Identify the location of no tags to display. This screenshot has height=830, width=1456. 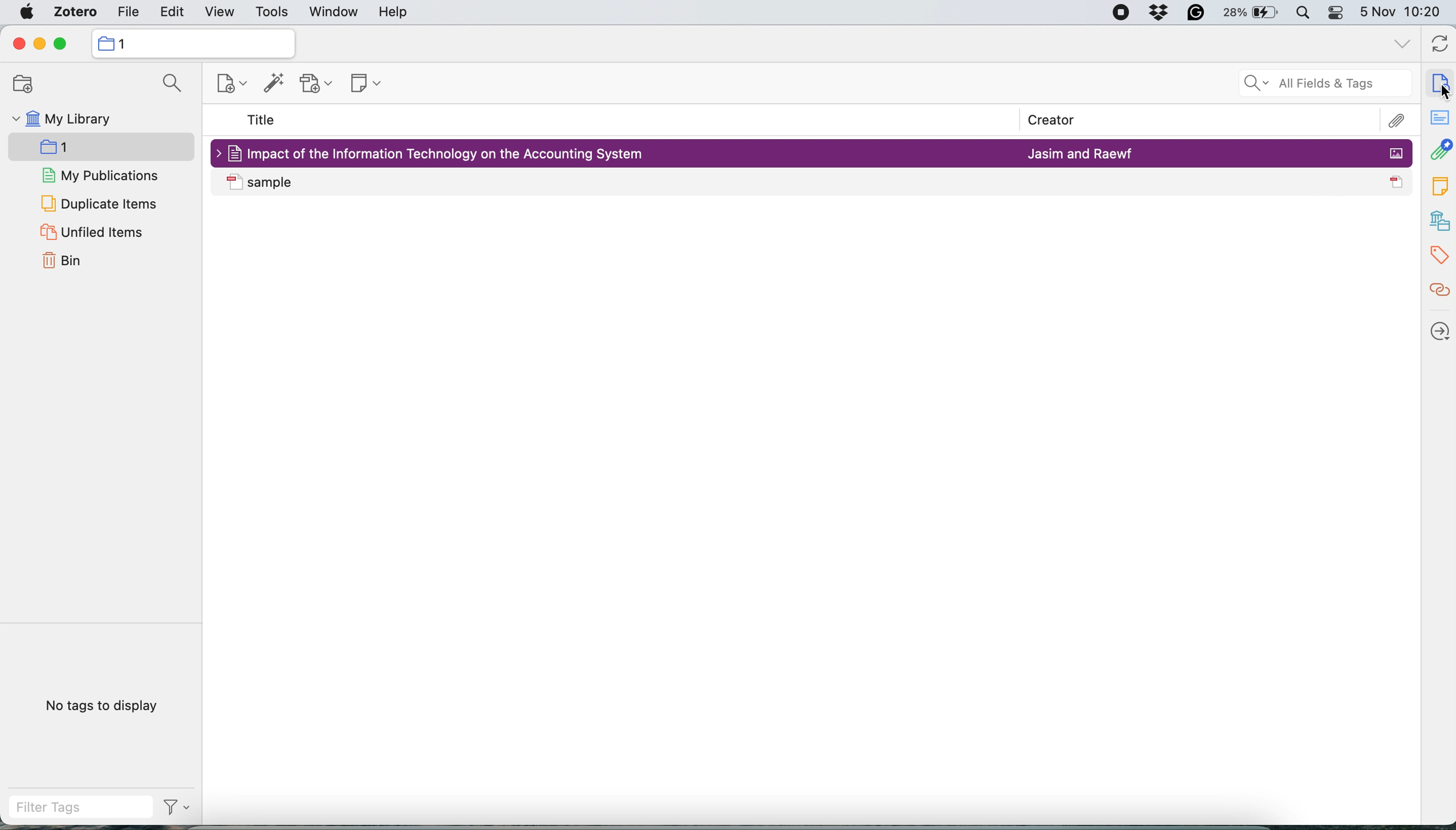
(102, 705).